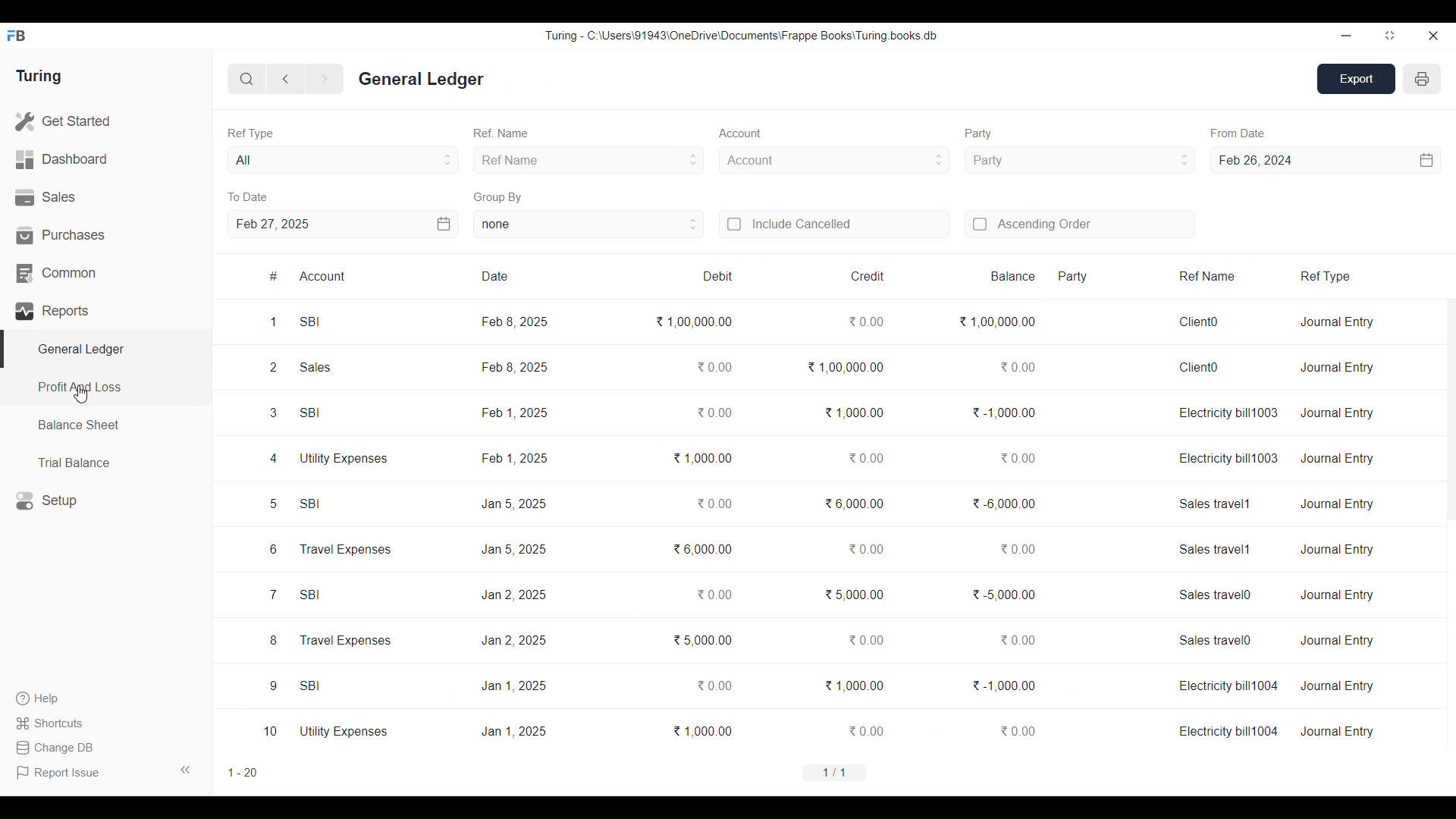 This screenshot has width=1456, height=819. What do you see at coordinates (356, 276) in the screenshot?
I see `# Account` at bounding box center [356, 276].